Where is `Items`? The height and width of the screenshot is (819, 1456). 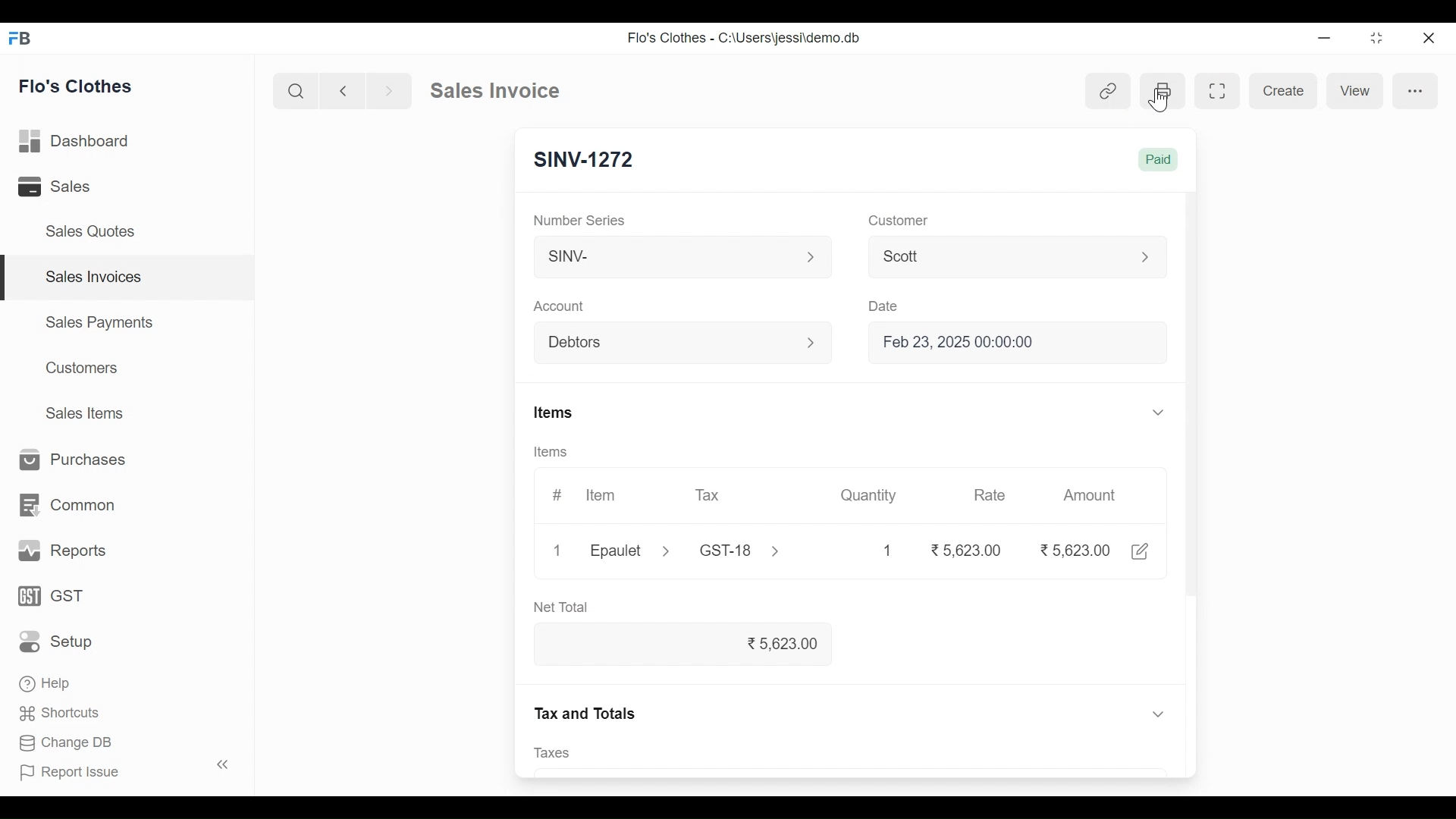 Items is located at coordinates (554, 451).